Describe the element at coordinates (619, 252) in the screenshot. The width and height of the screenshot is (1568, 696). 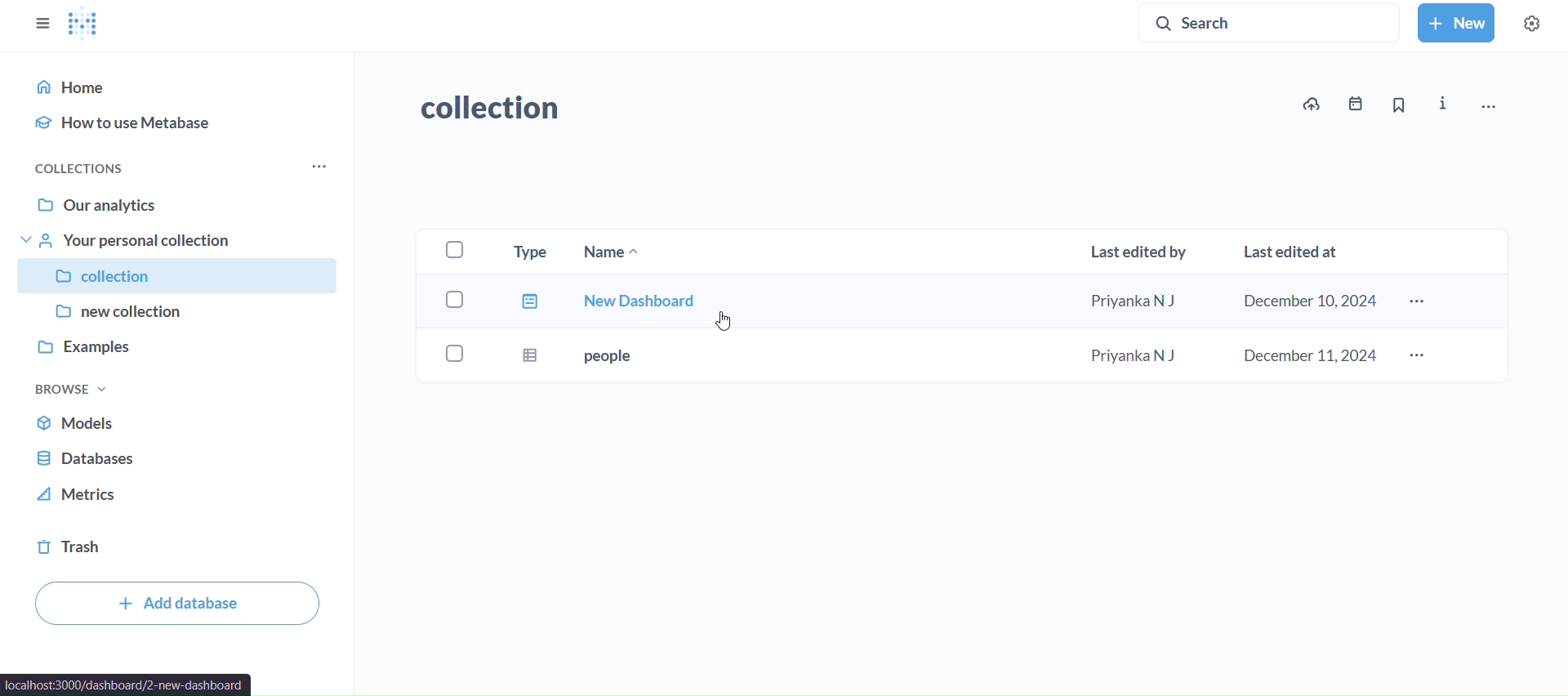
I see `name` at that location.